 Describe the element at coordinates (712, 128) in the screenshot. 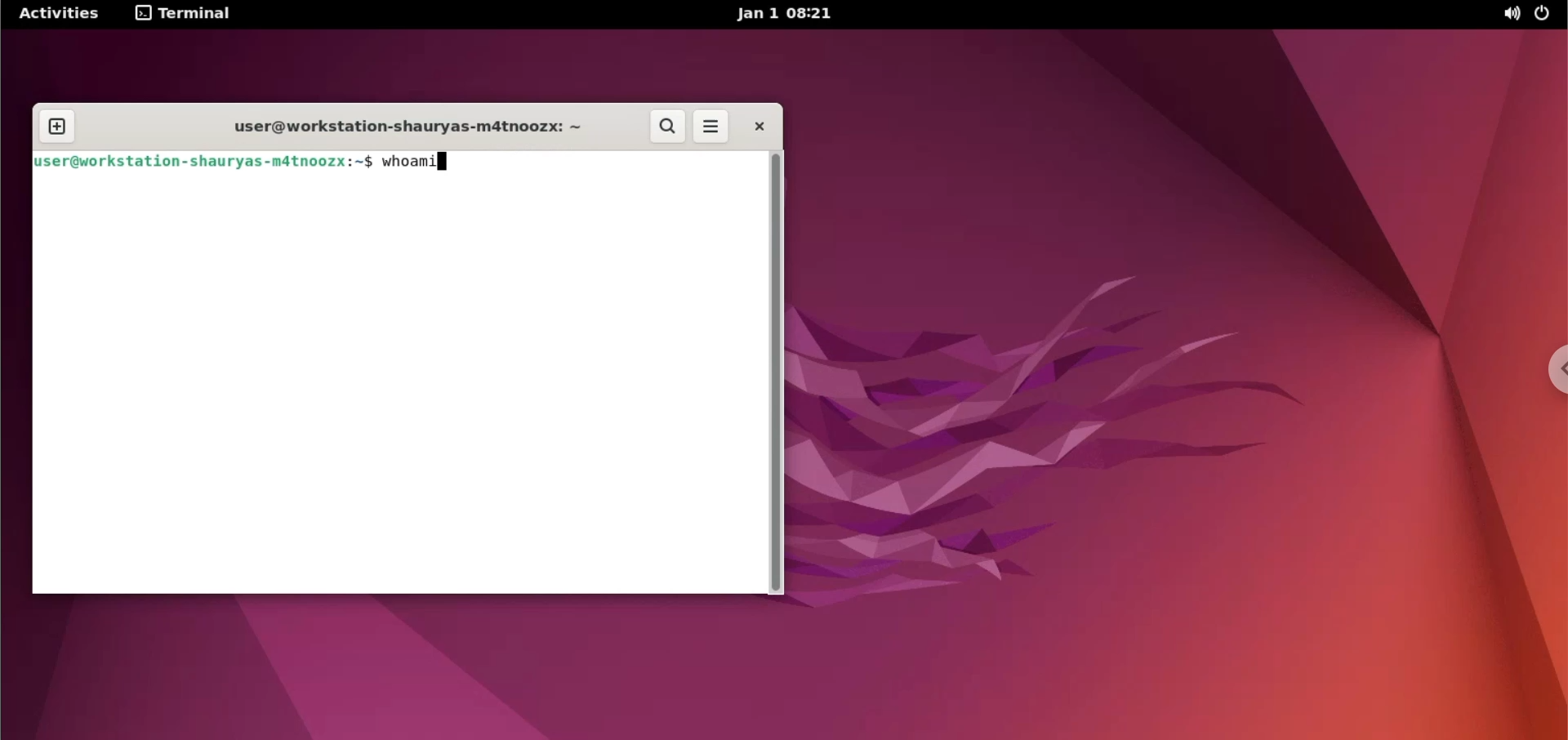

I see `more options` at that location.